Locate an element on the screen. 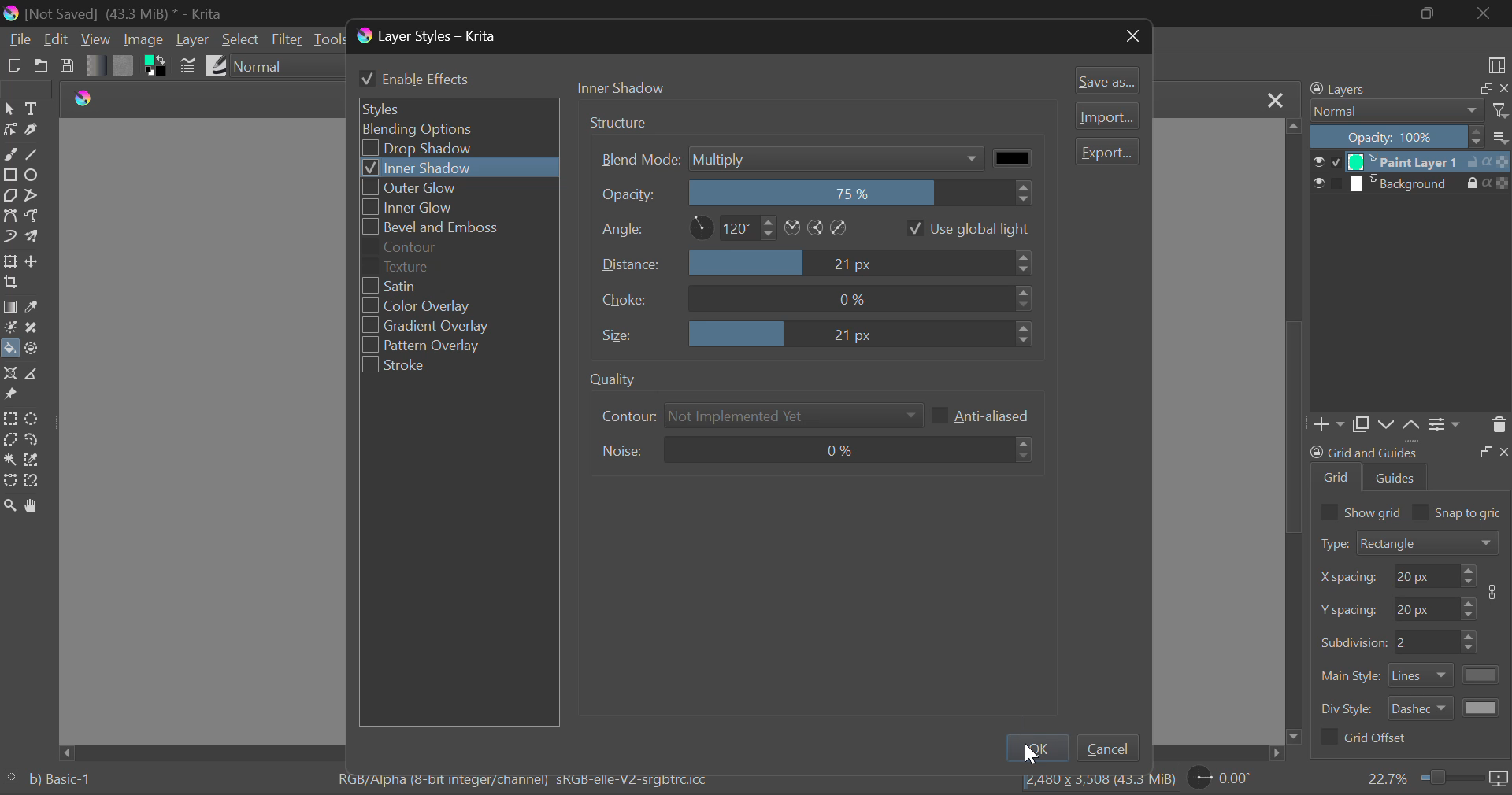  Dynamic Brush is located at coordinates (10, 238).